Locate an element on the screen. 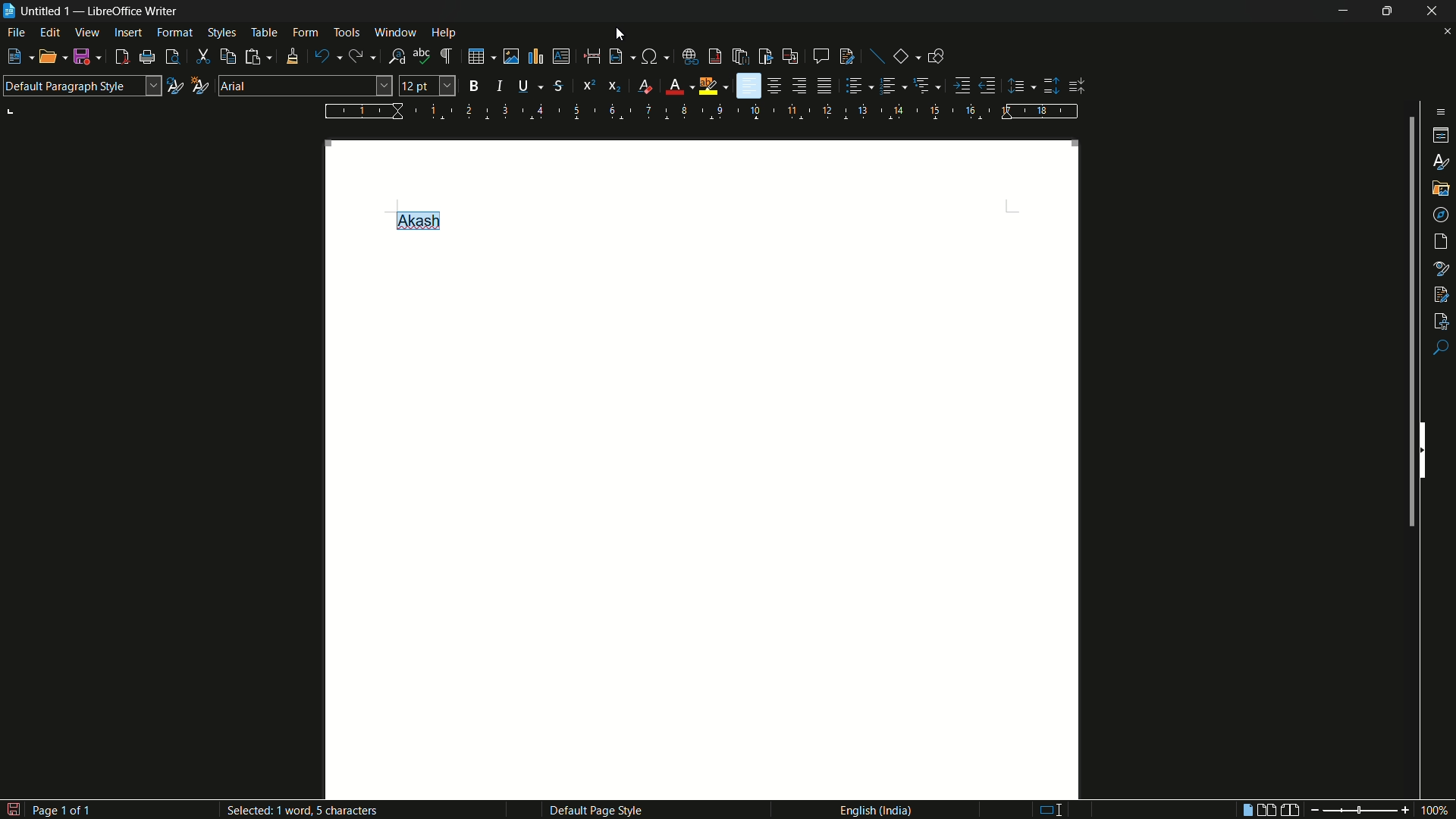 The image size is (1456, 819). increase indentation is located at coordinates (964, 85).